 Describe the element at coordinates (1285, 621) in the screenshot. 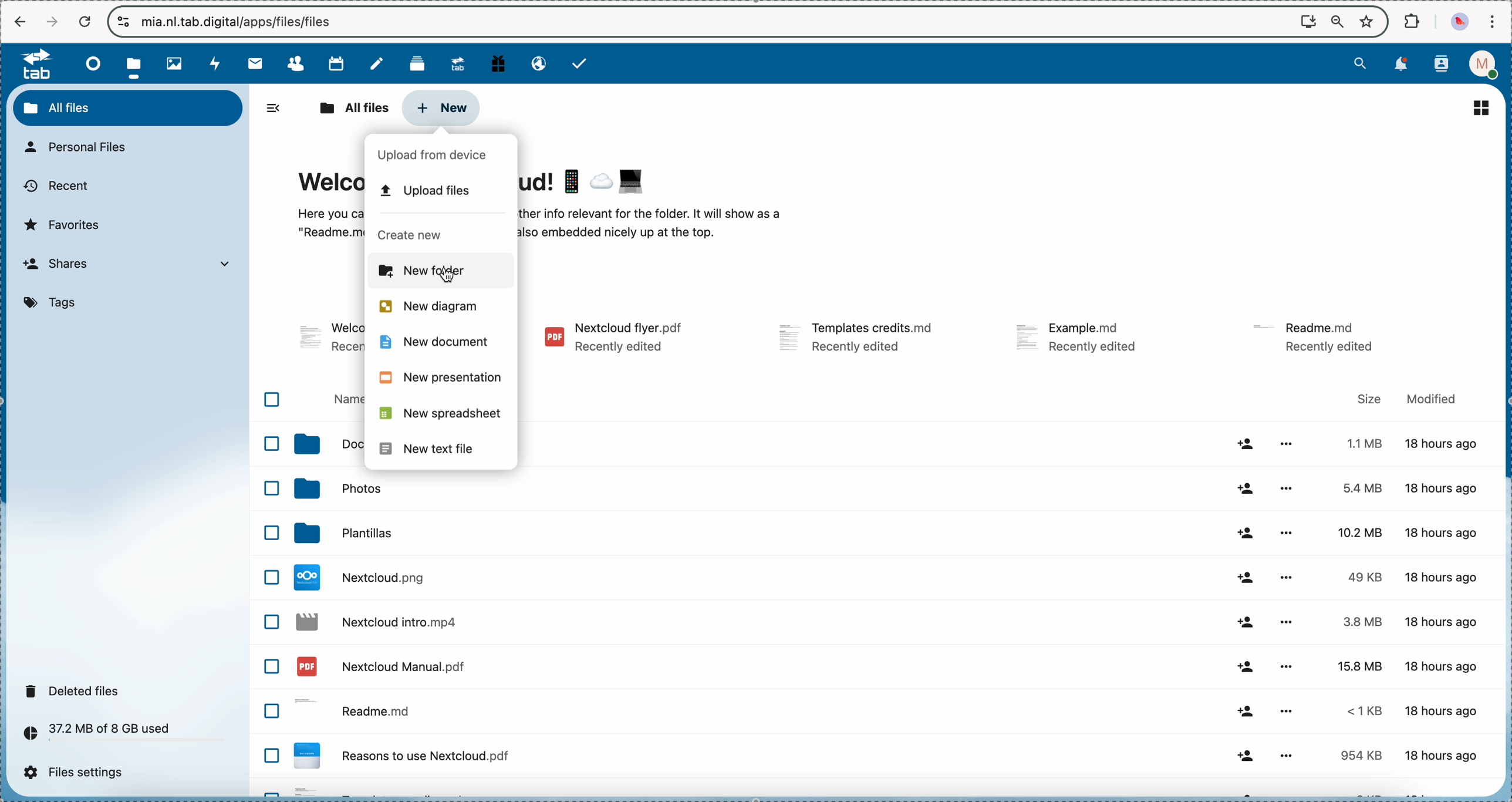

I see `more options` at that location.